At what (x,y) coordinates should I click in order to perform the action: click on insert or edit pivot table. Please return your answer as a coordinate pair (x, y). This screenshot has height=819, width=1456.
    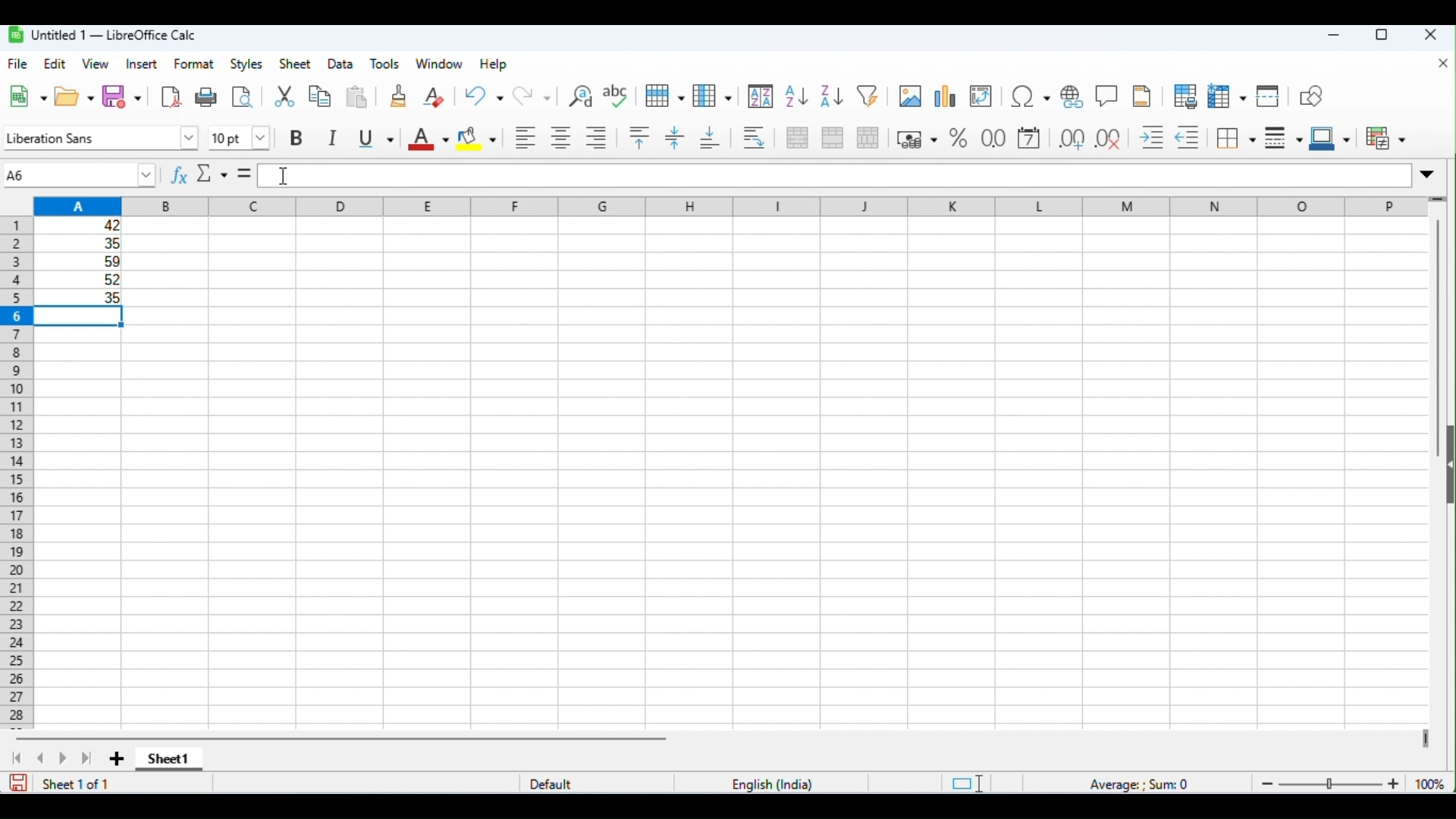
    Looking at the image, I should click on (981, 96).